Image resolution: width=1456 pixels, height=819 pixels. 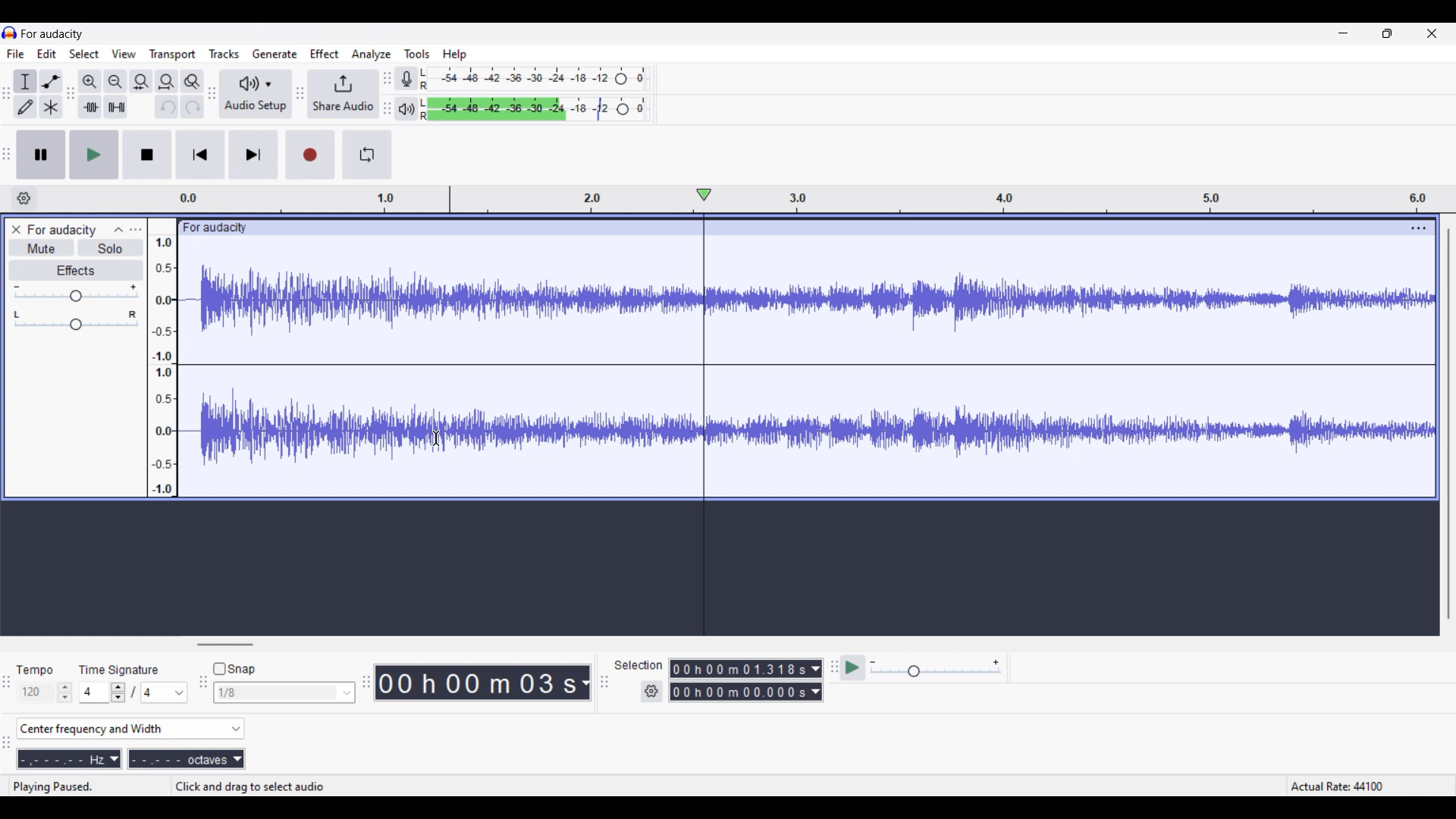 I want to click on Duration measurement options, so click(x=587, y=682).